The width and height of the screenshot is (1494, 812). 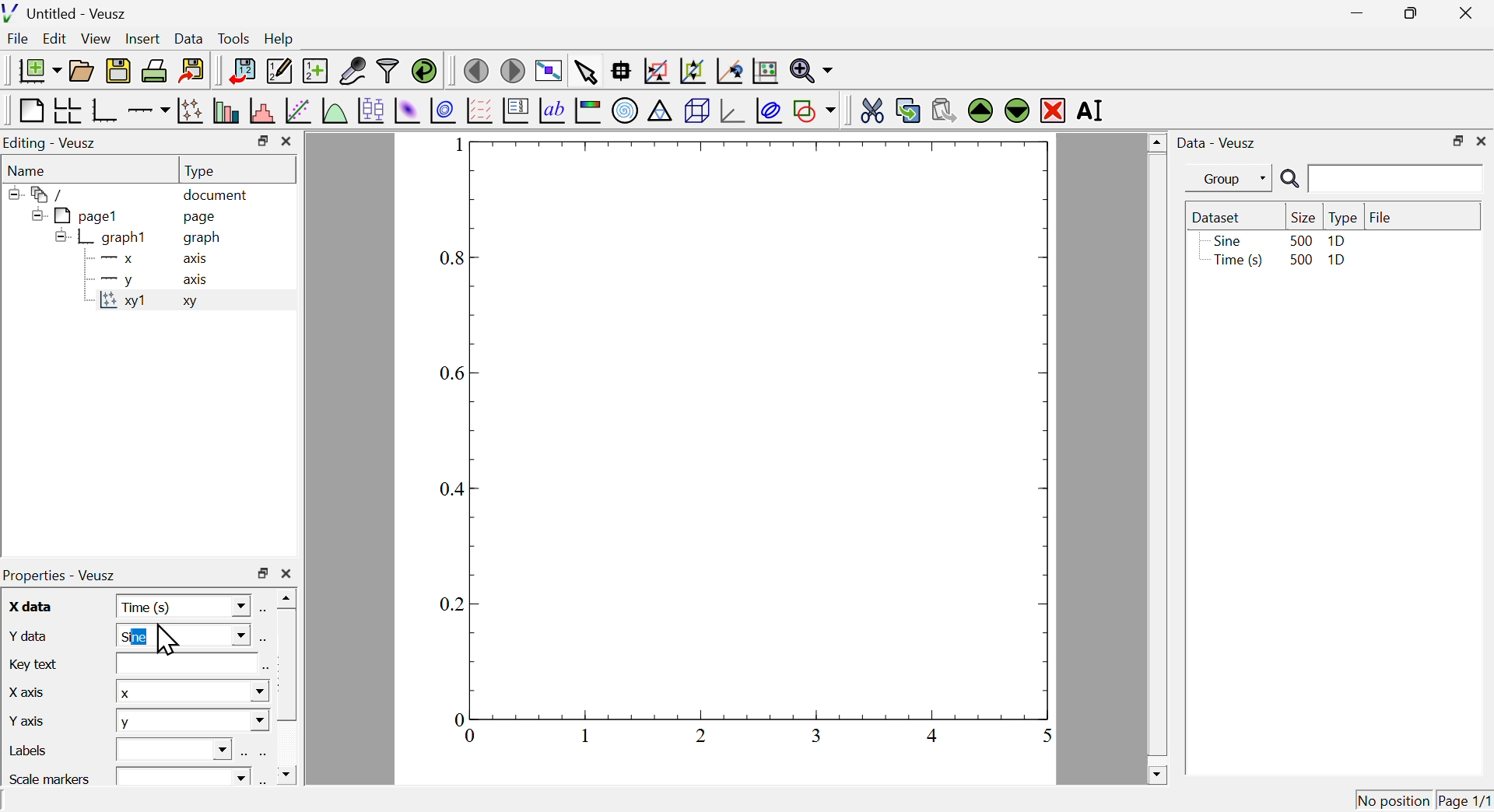 What do you see at coordinates (1352, 13) in the screenshot?
I see `minimize` at bounding box center [1352, 13].